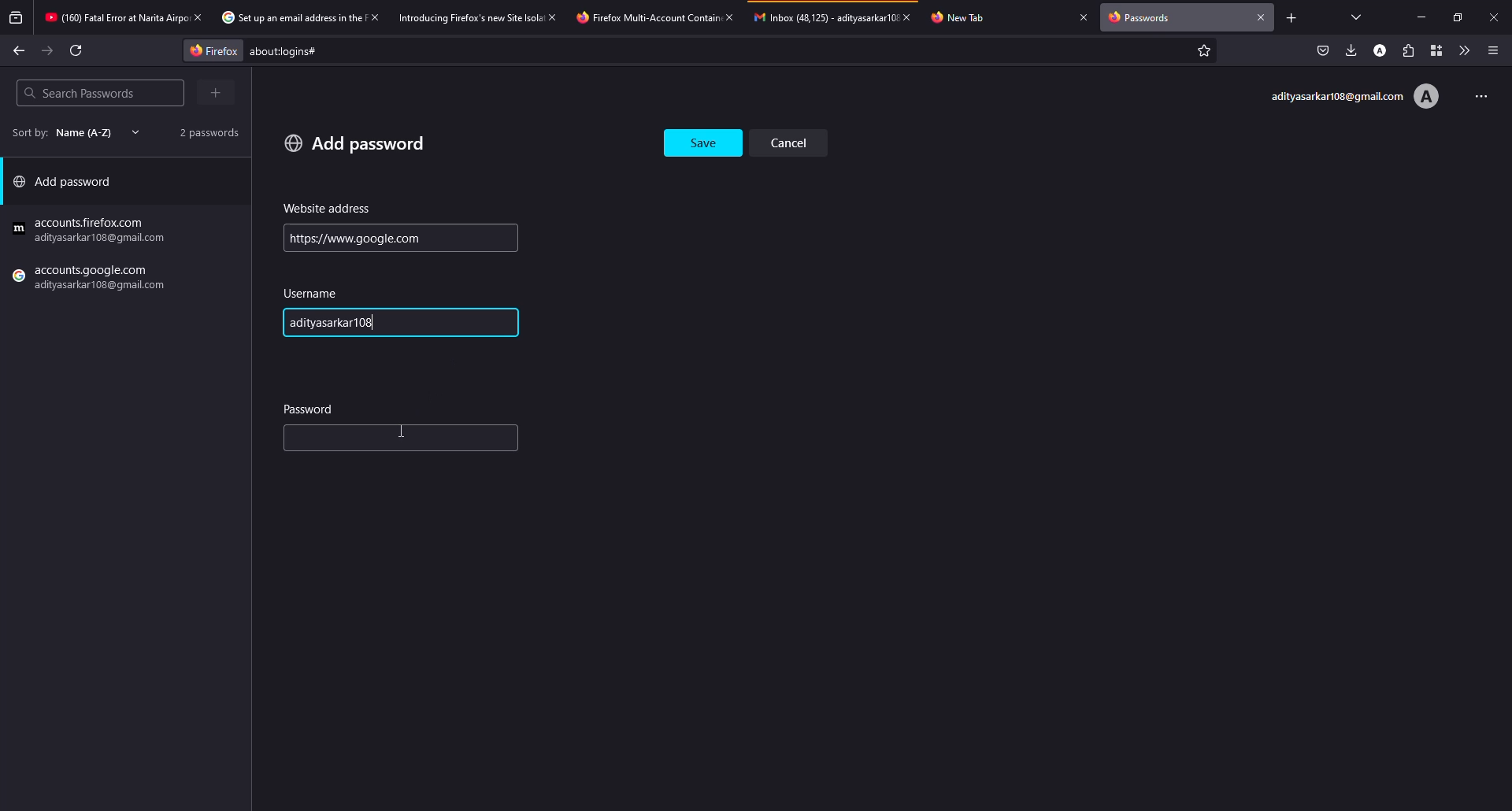  What do you see at coordinates (644, 17) in the screenshot?
I see `tab` at bounding box center [644, 17].